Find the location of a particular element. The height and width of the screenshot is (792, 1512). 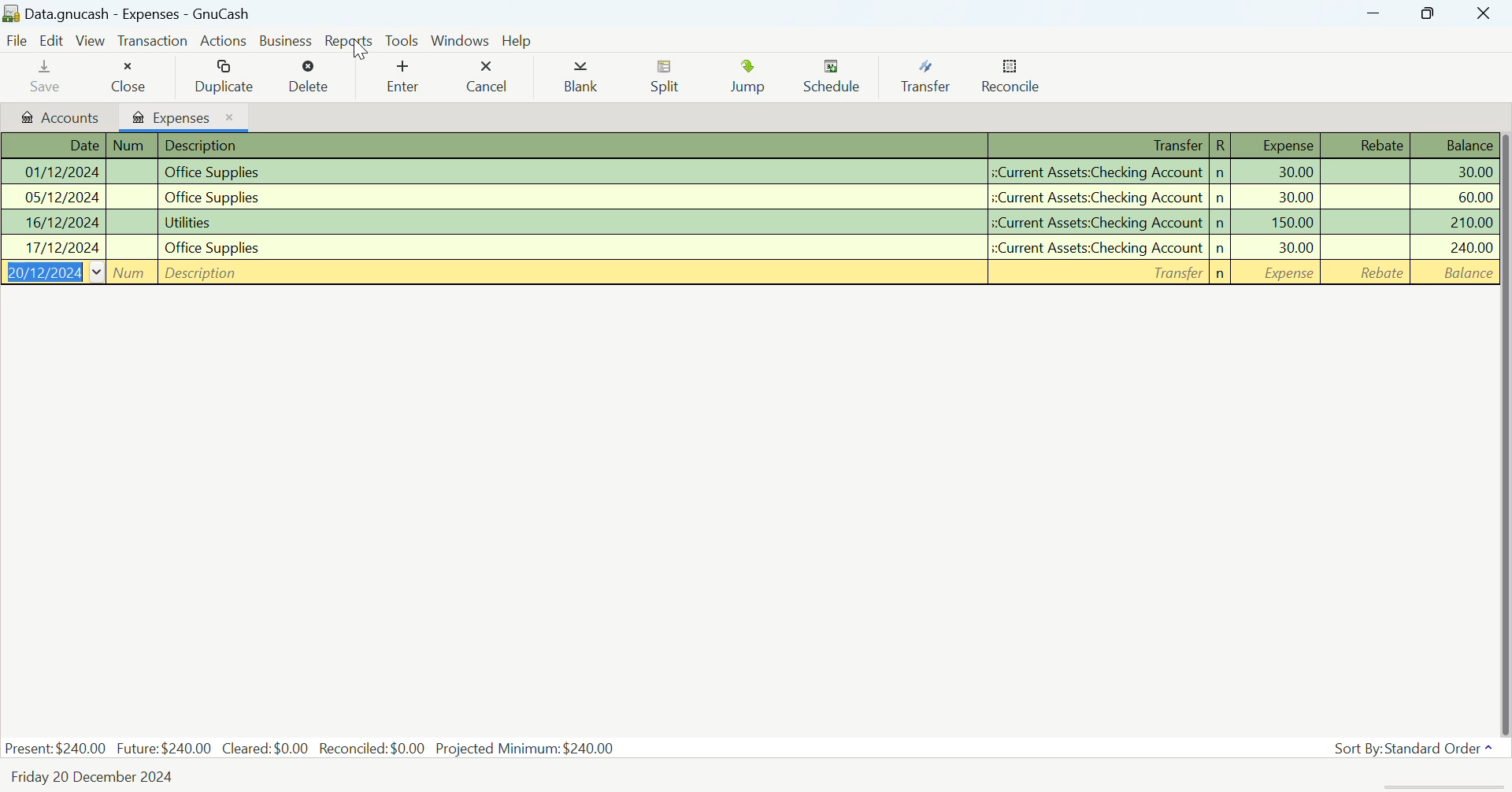

Data.gnucash - Expenses - GnuCash is located at coordinates (161, 13).